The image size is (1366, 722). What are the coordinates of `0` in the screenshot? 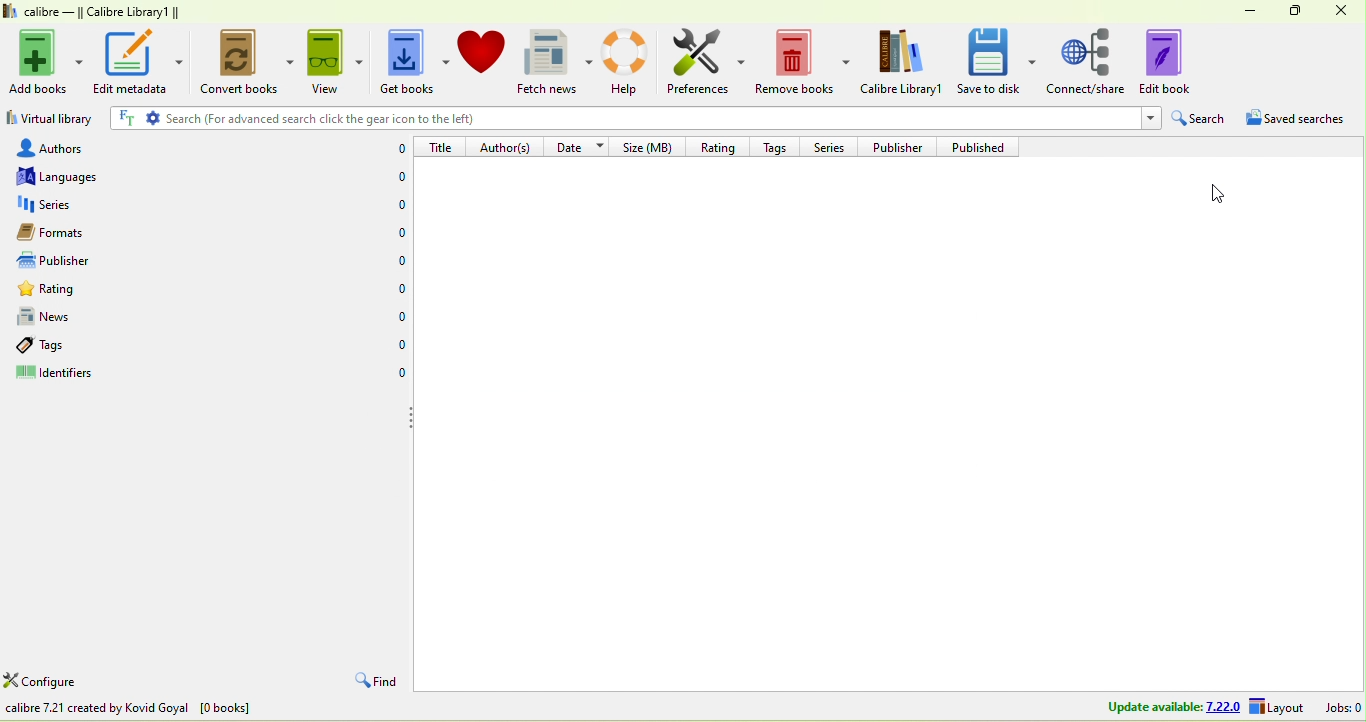 It's located at (395, 317).